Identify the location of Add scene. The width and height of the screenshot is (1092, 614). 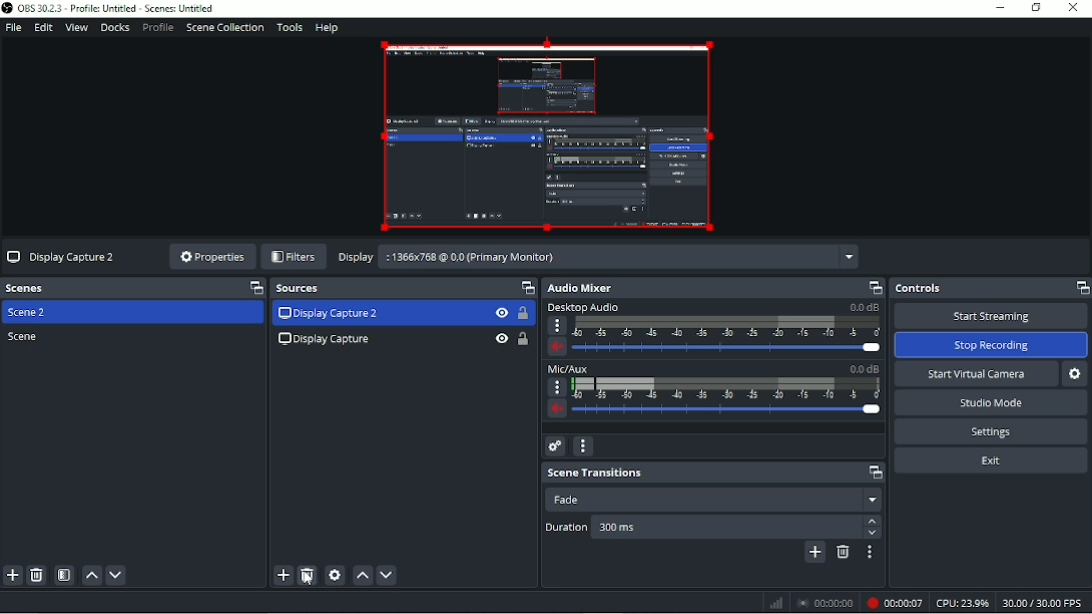
(13, 575).